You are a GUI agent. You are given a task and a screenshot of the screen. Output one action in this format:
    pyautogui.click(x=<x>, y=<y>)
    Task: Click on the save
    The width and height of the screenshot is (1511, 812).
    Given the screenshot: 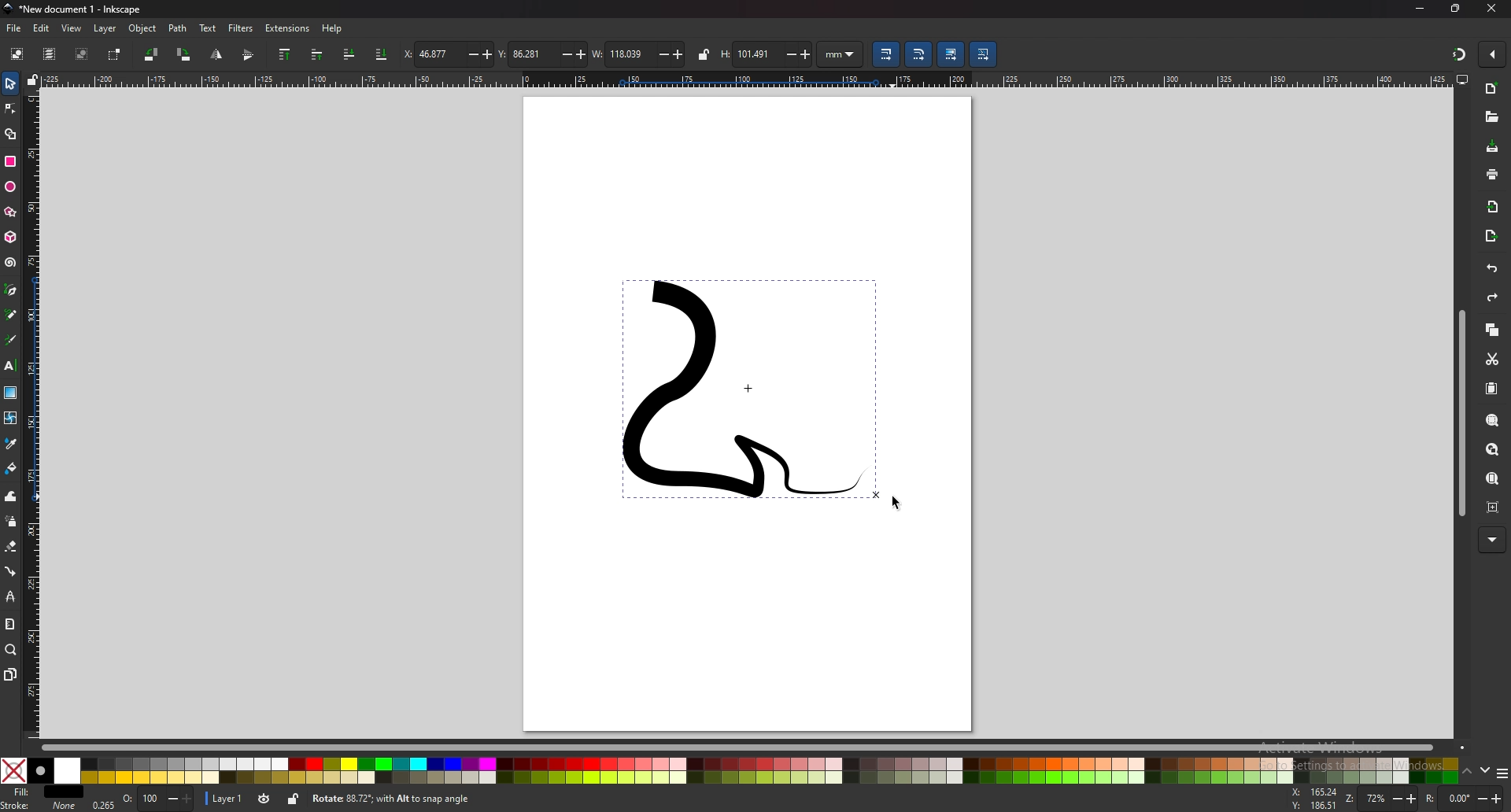 What is the action you would take?
    pyautogui.click(x=1494, y=147)
    